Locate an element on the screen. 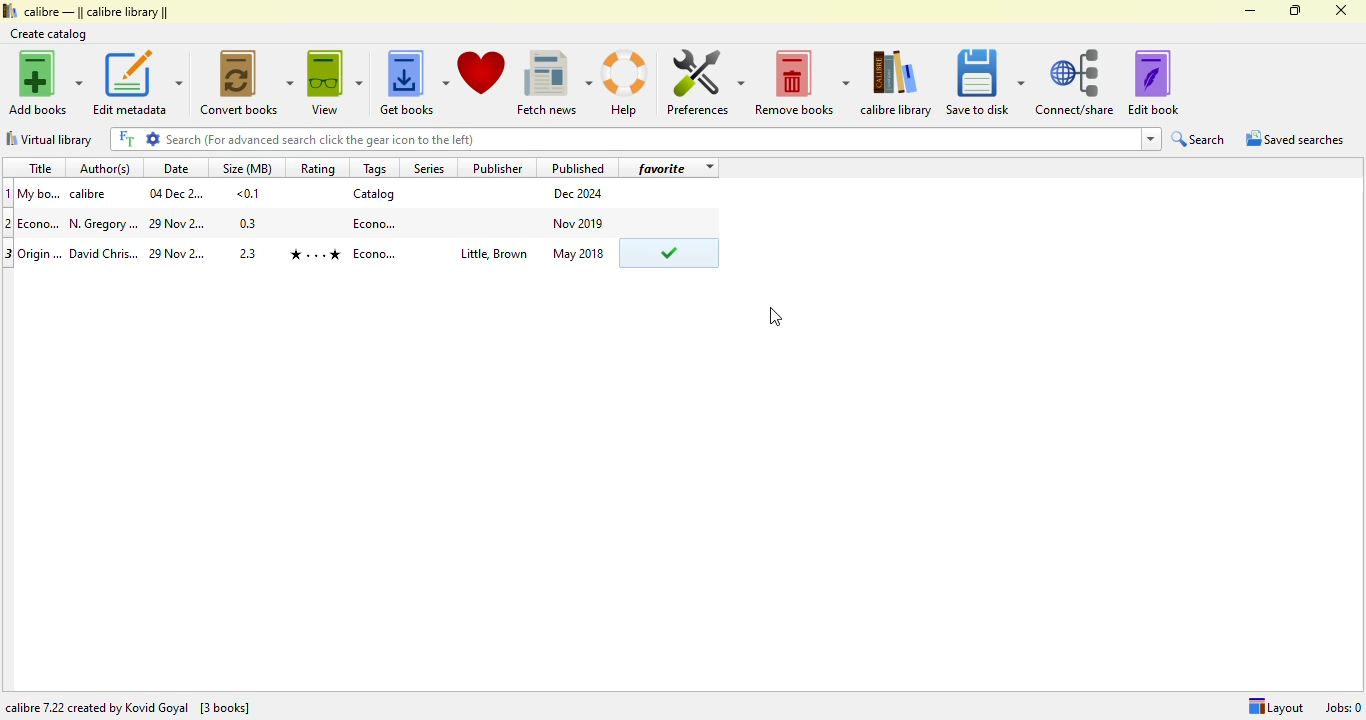 Image resolution: width=1366 pixels, height=720 pixels. 3 is located at coordinates (9, 254).